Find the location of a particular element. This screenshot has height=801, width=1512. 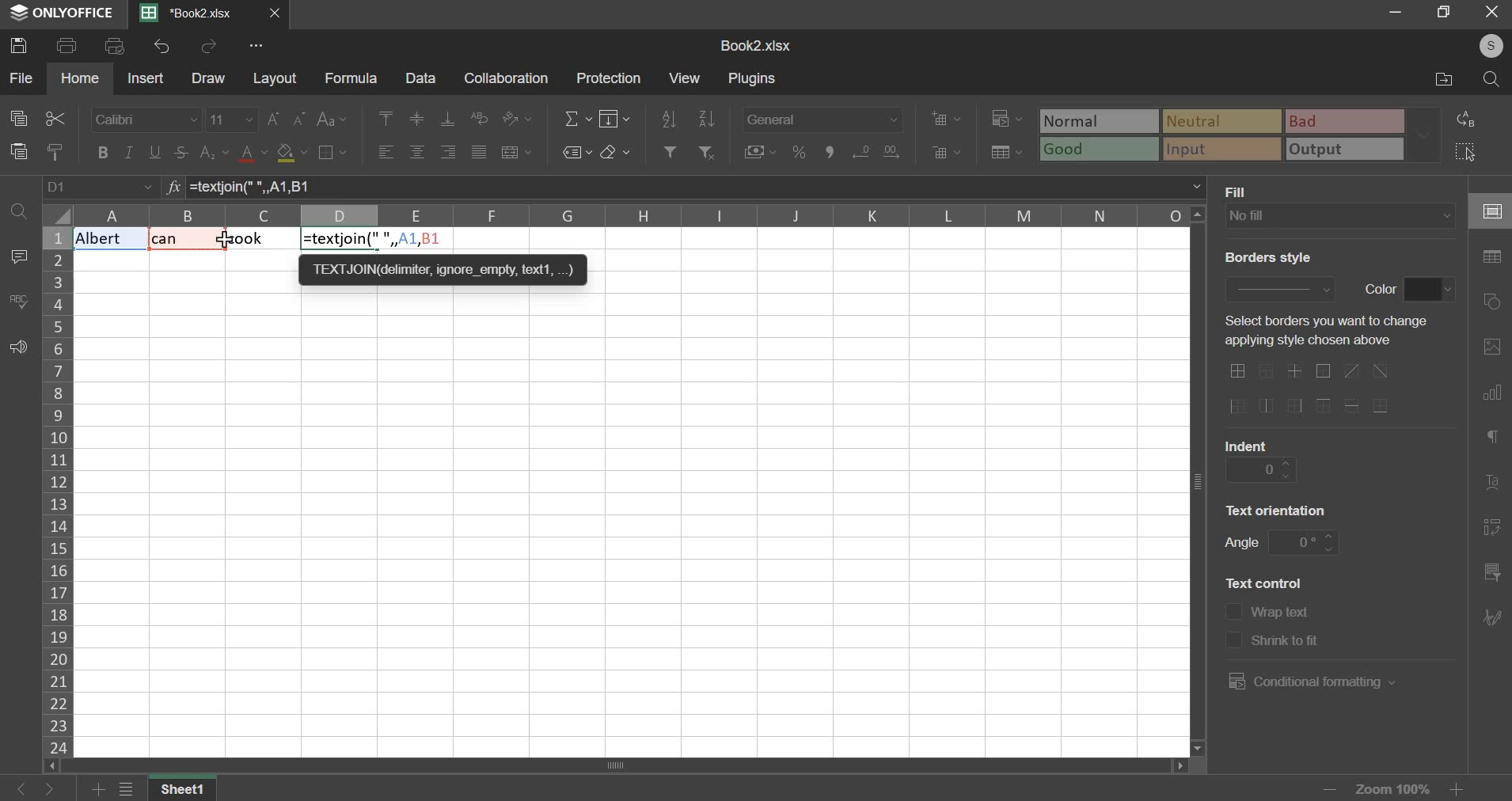

fill color is located at coordinates (291, 154).